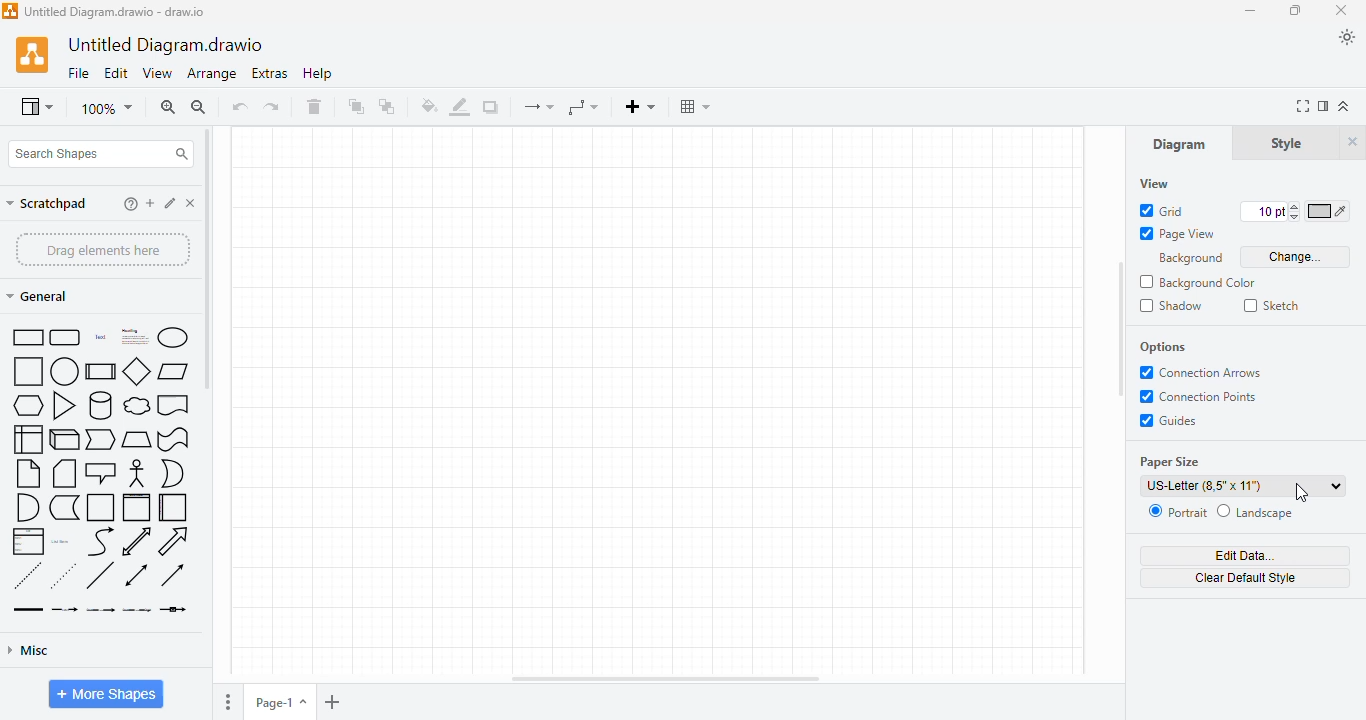 This screenshot has height=720, width=1366. Describe the element at coordinates (174, 541) in the screenshot. I see `arrow` at that location.